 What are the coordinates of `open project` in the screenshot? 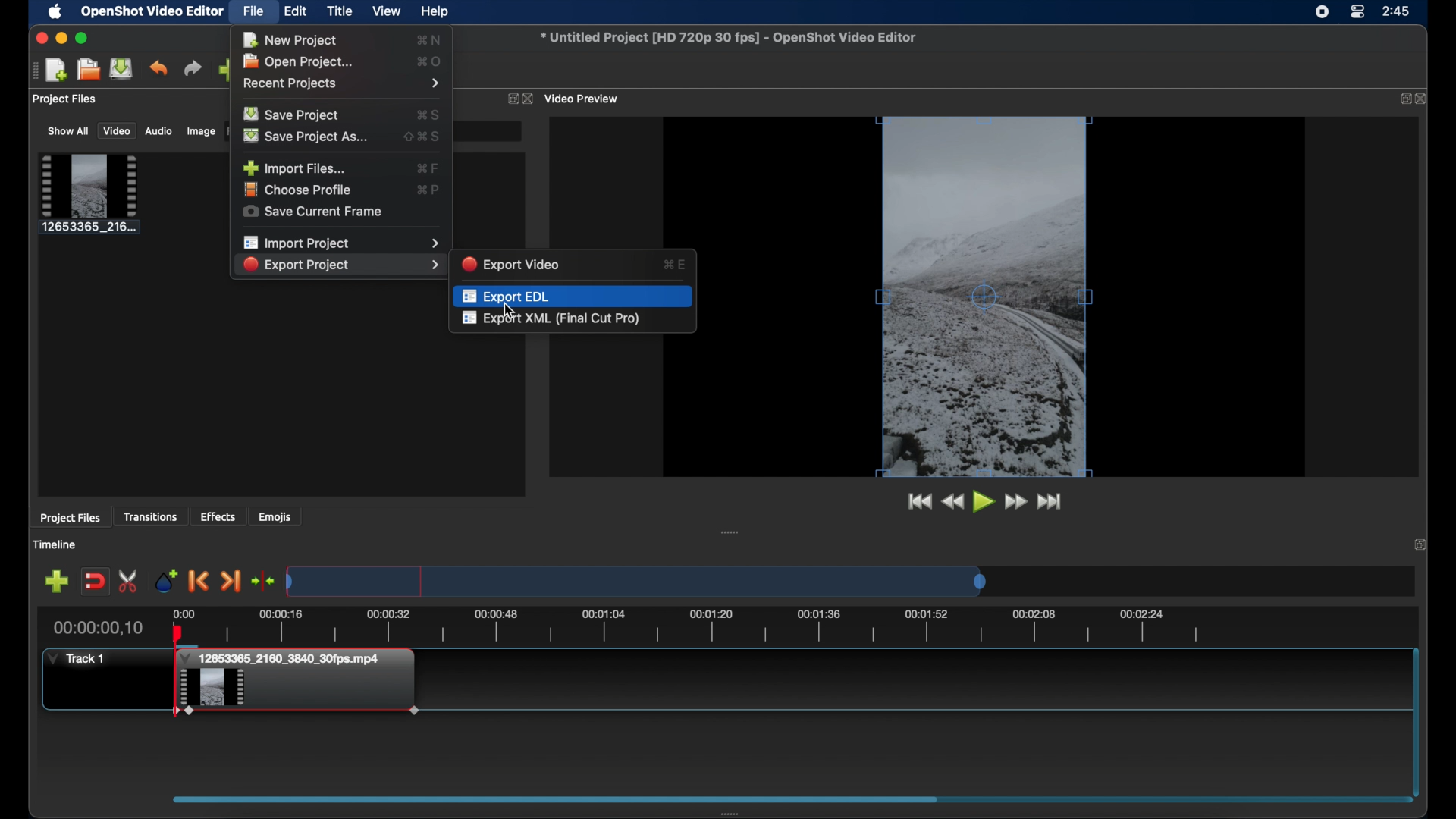 It's located at (303, 61).